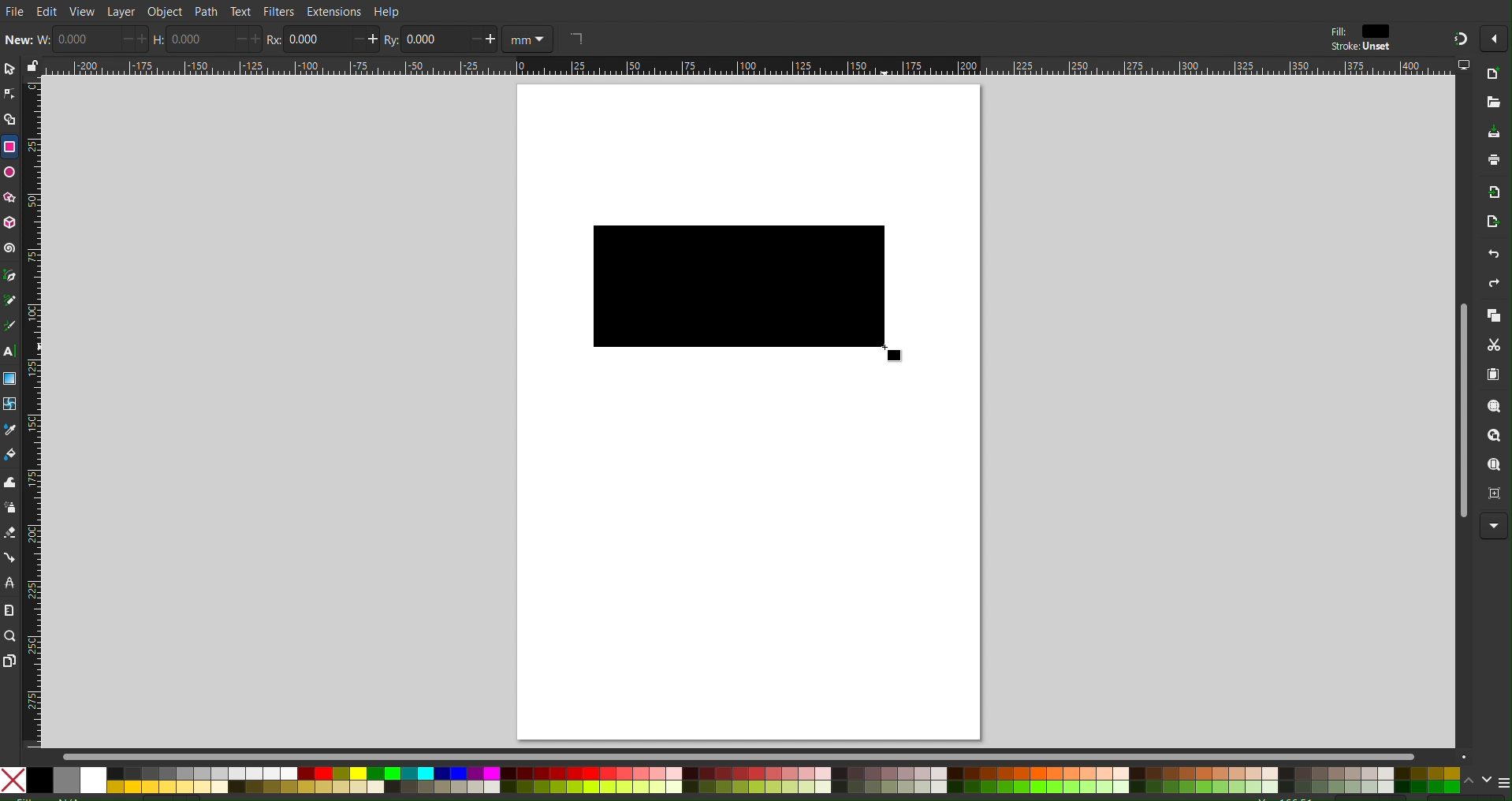 The width and height of the screenshot is (1512, 801). What do you see at coordinates (1494, 525) in the screenshot?
I see `More Options` at bounding box center [1494, 525].